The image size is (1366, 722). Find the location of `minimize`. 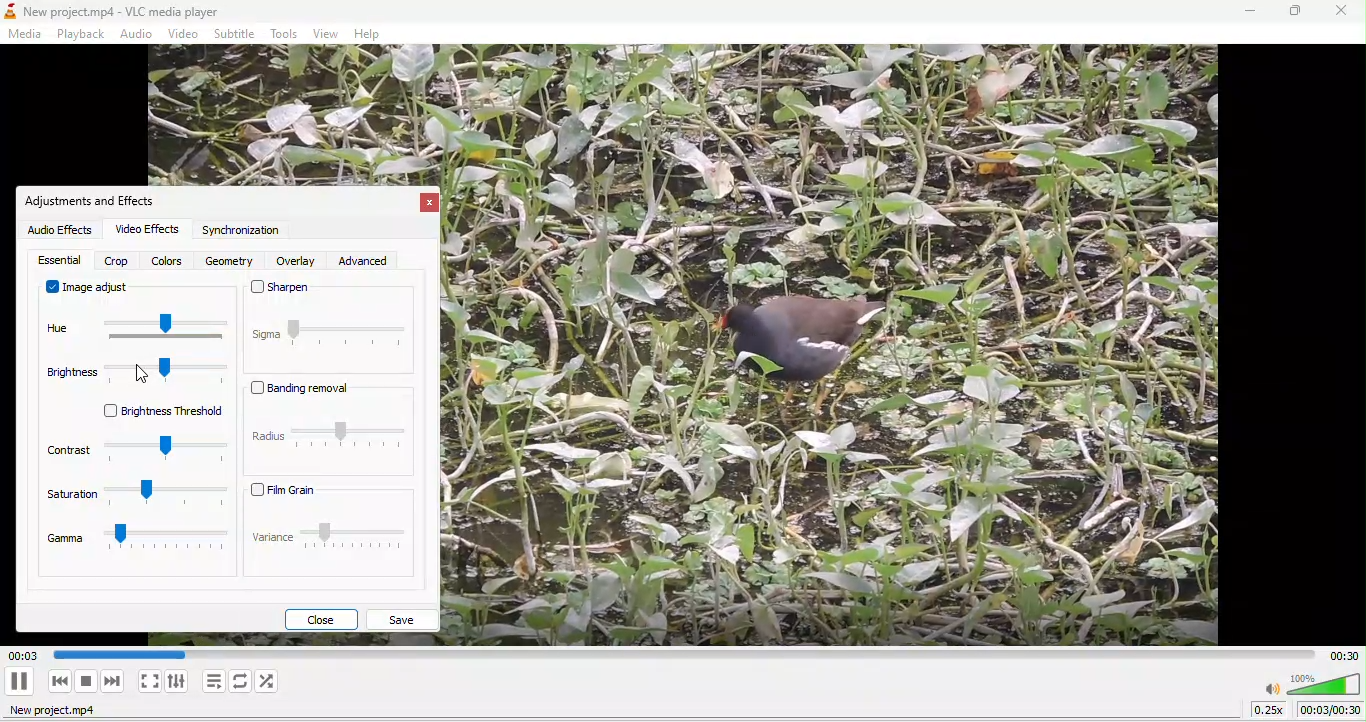

minimize is located at coordinates (1250, 12).